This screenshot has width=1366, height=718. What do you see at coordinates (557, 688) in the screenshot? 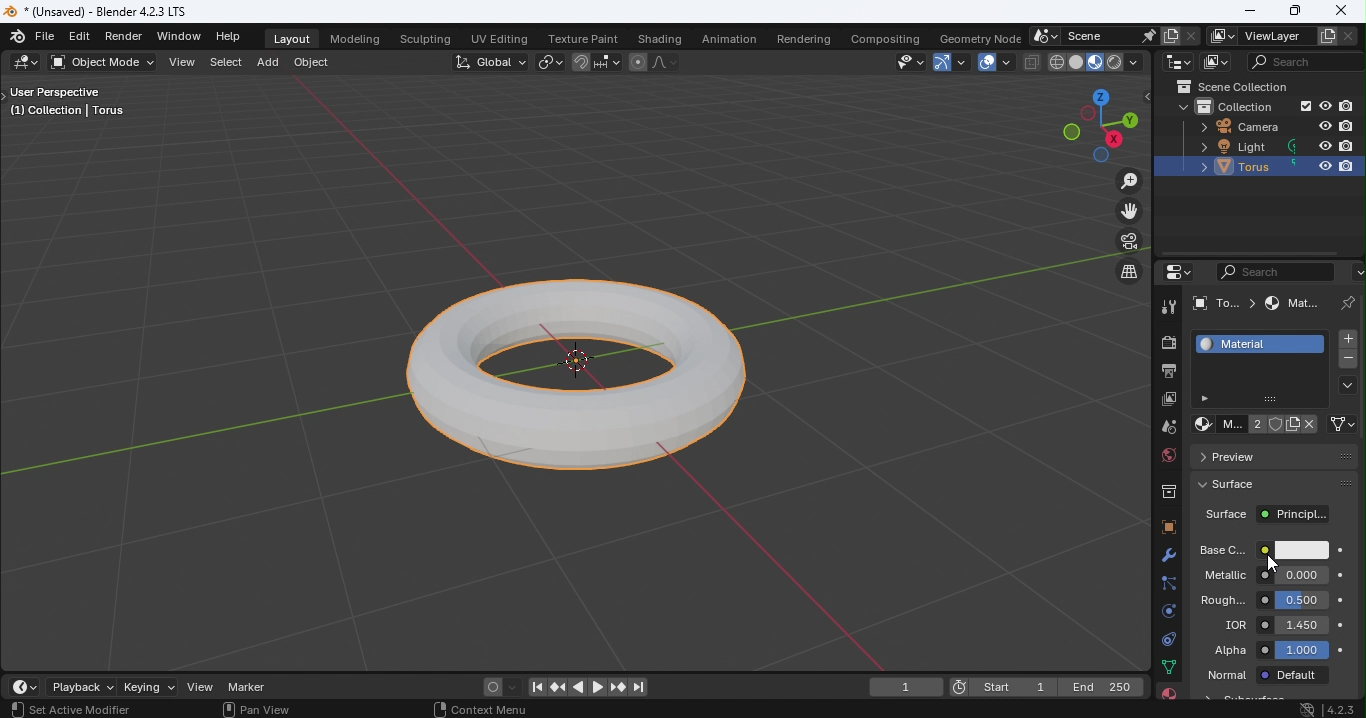
I see `Jump to previous/next keyframe` at bounding box center [557, 688].